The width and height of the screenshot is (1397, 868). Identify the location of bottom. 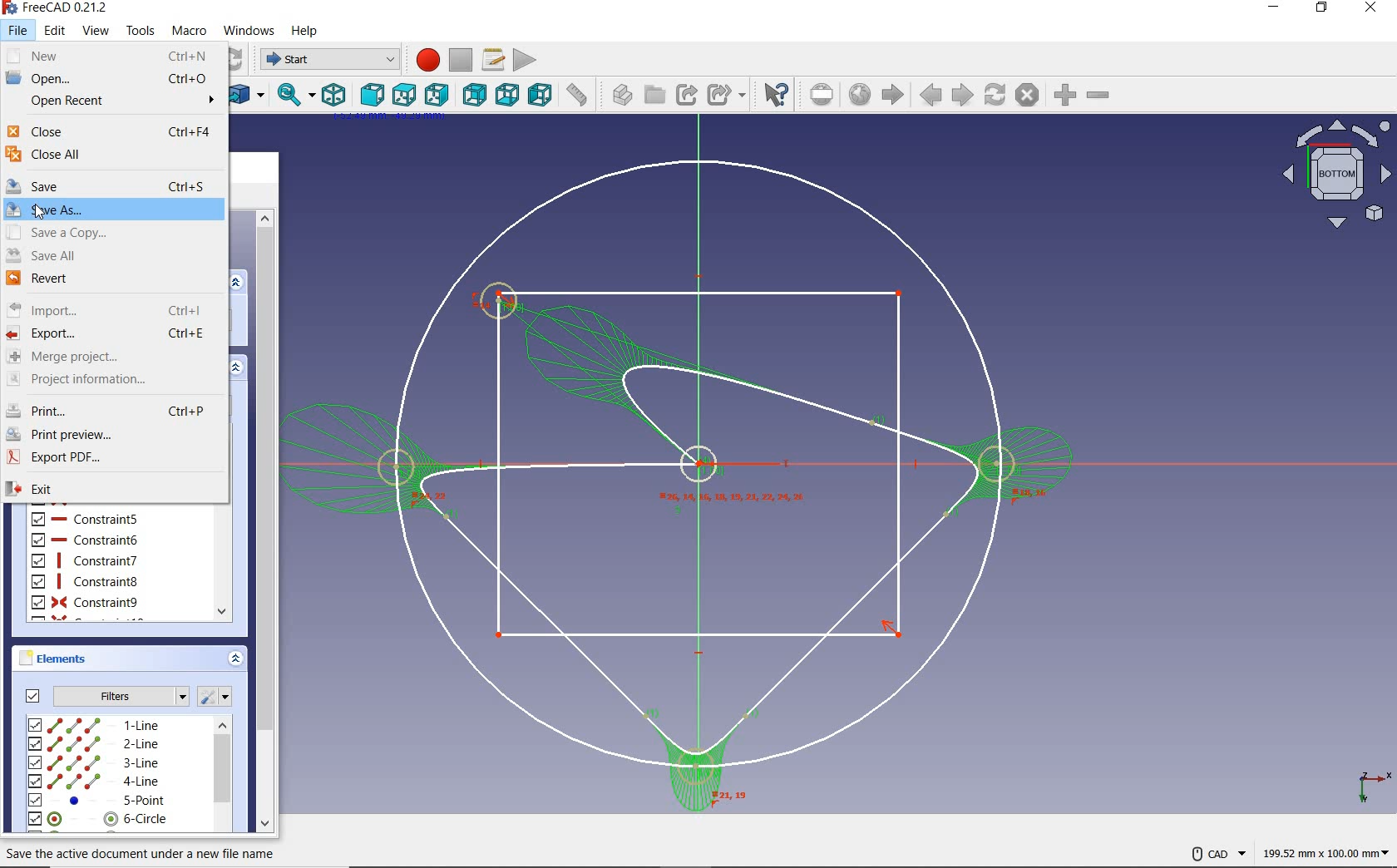
(509, 96).